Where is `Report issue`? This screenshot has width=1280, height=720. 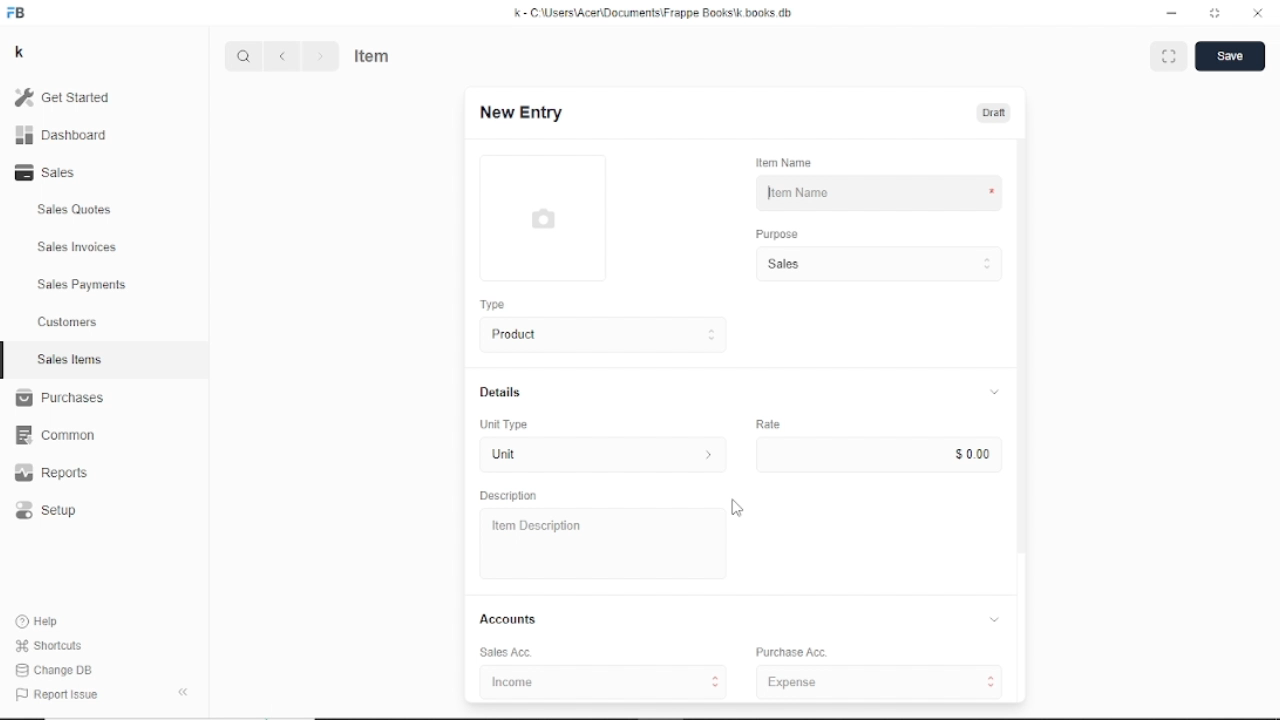
Report issue is located at coordinates (54, 693).